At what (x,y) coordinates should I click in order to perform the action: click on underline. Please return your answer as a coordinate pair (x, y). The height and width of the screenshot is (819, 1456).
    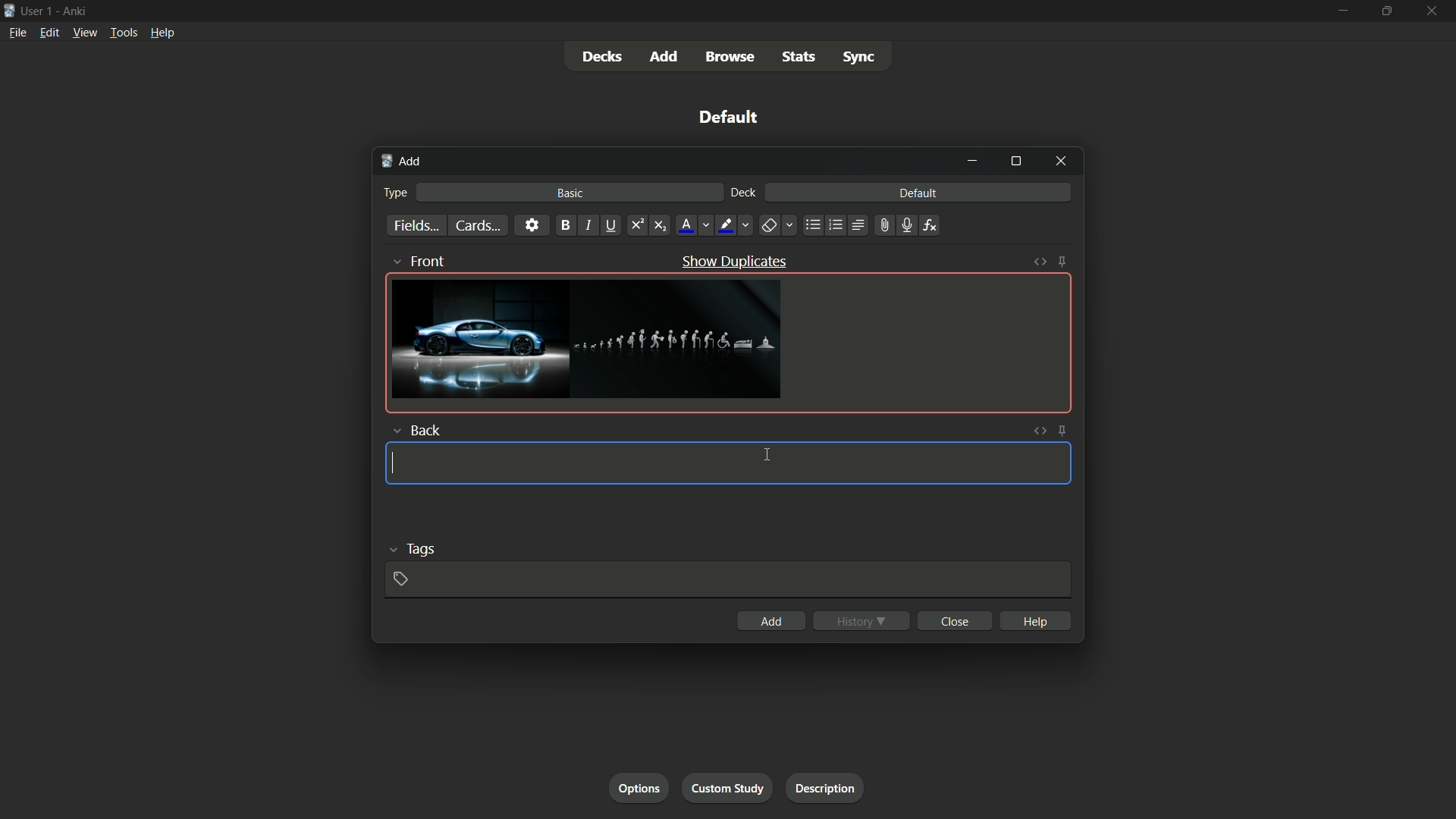
    Looking at the image, I should click on (613, 224).